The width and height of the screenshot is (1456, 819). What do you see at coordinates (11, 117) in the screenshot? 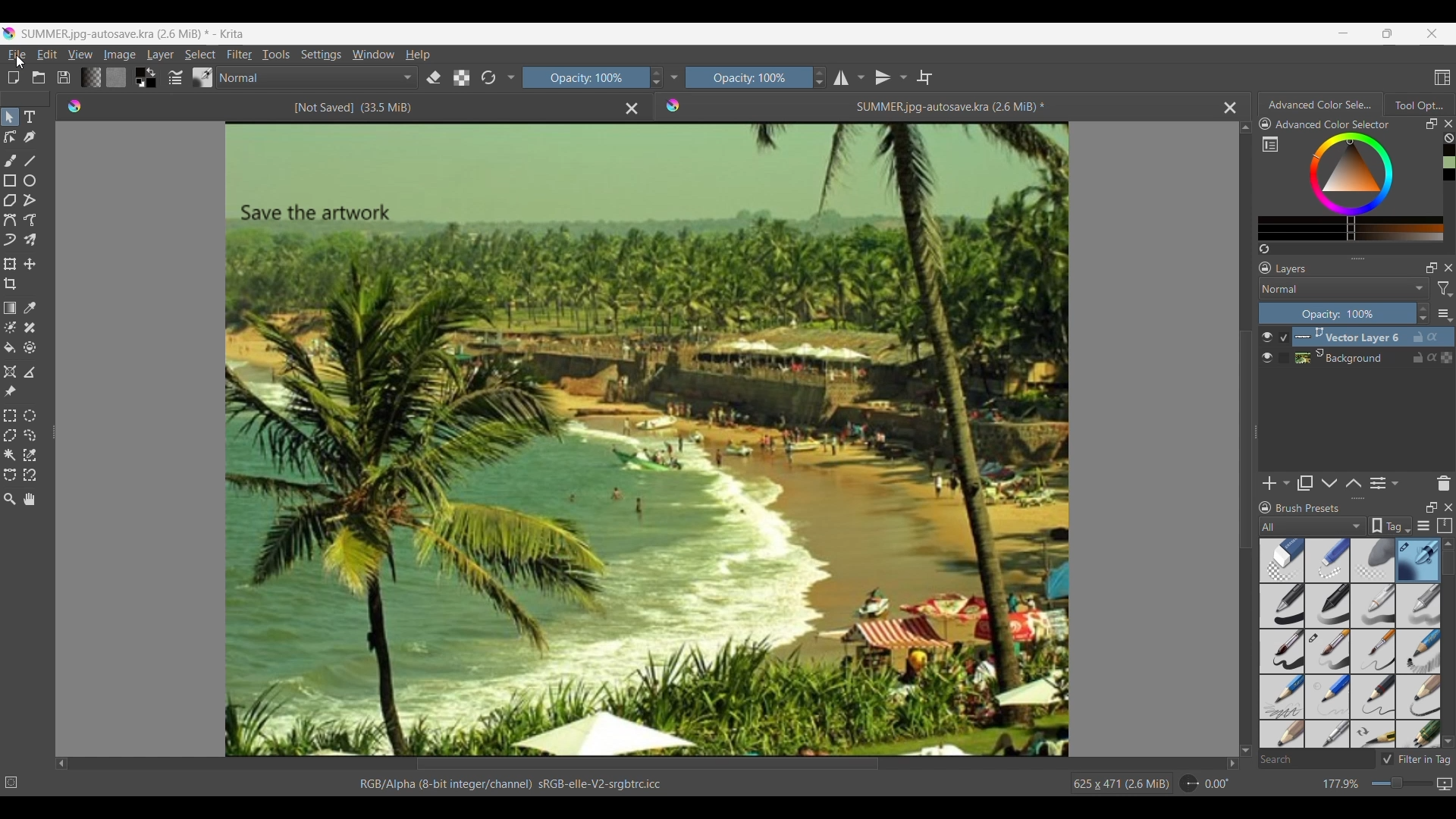
I see `Select shape tools` at bounding box center [11, 117].